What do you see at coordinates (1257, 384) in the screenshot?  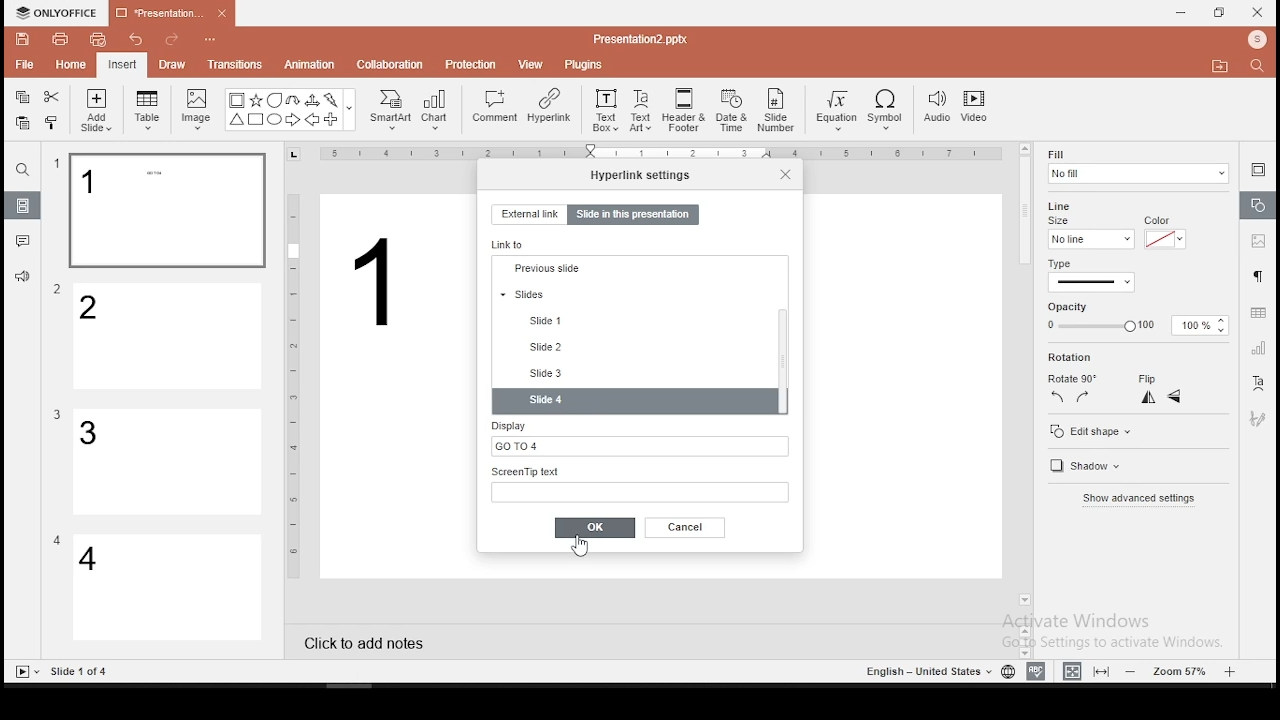 I see `text art tool` at bounding box center [1257, 384].